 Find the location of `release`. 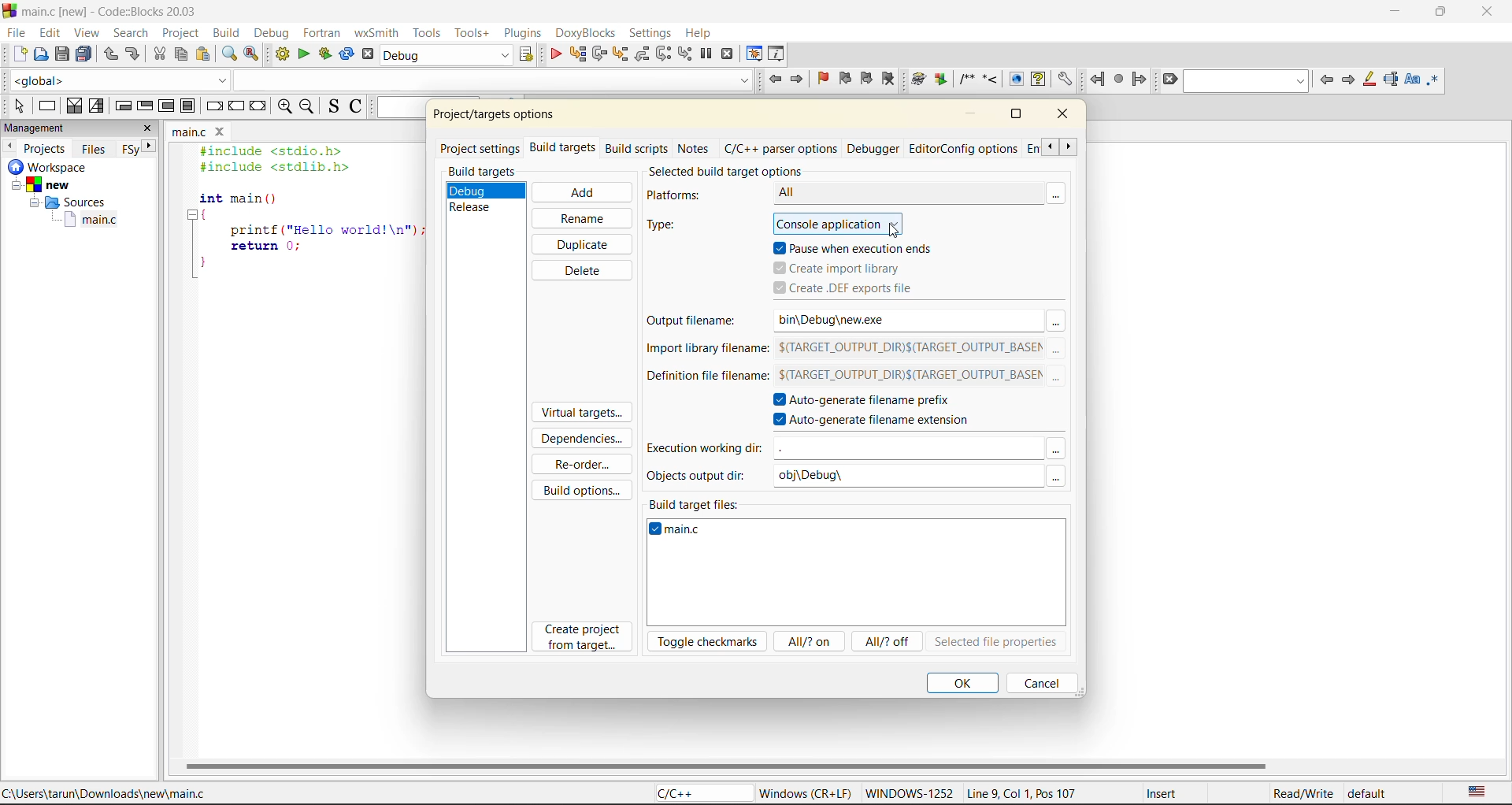

release is located at coordinates (480, 207).